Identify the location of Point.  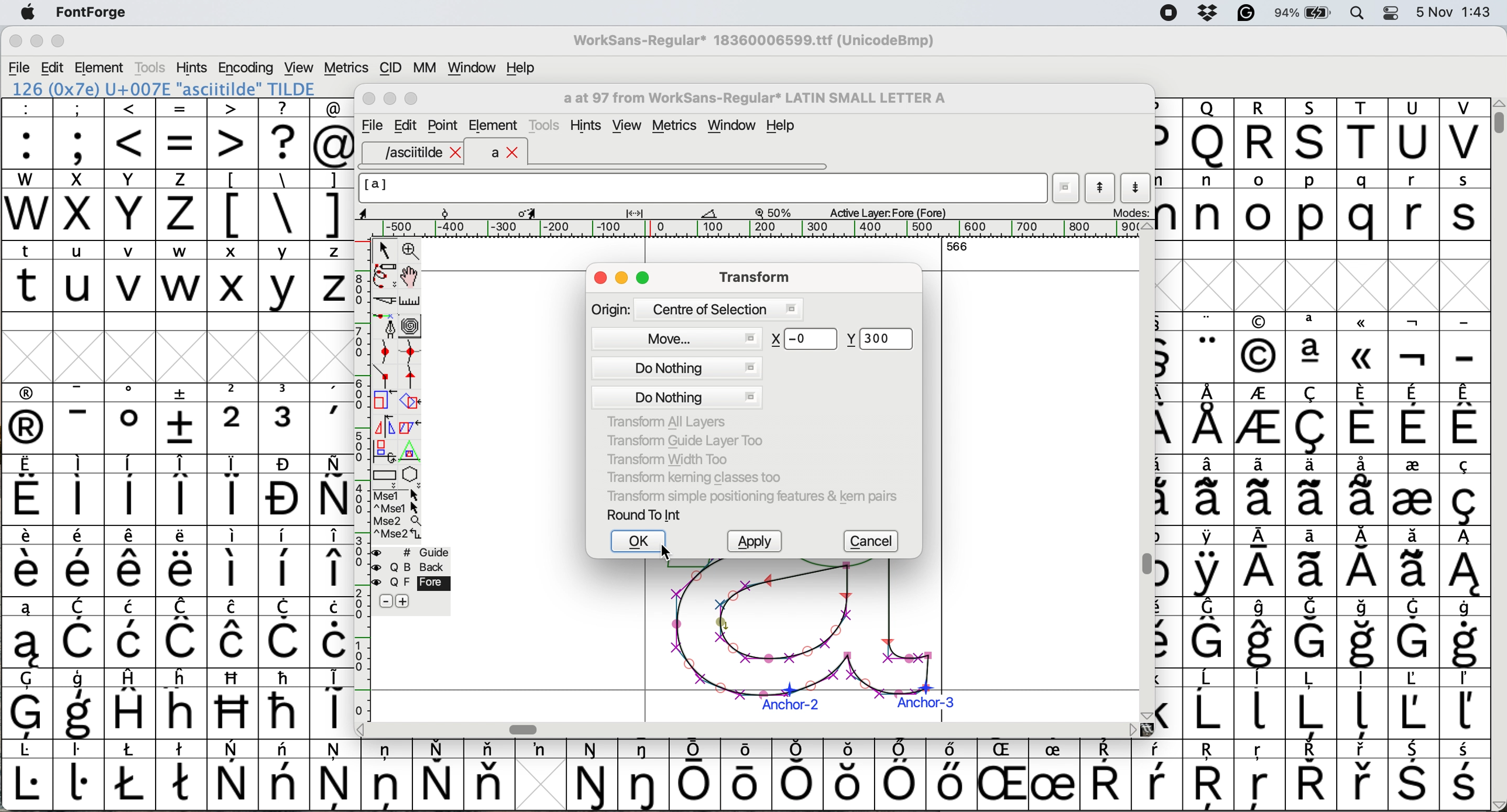
(444, 127).